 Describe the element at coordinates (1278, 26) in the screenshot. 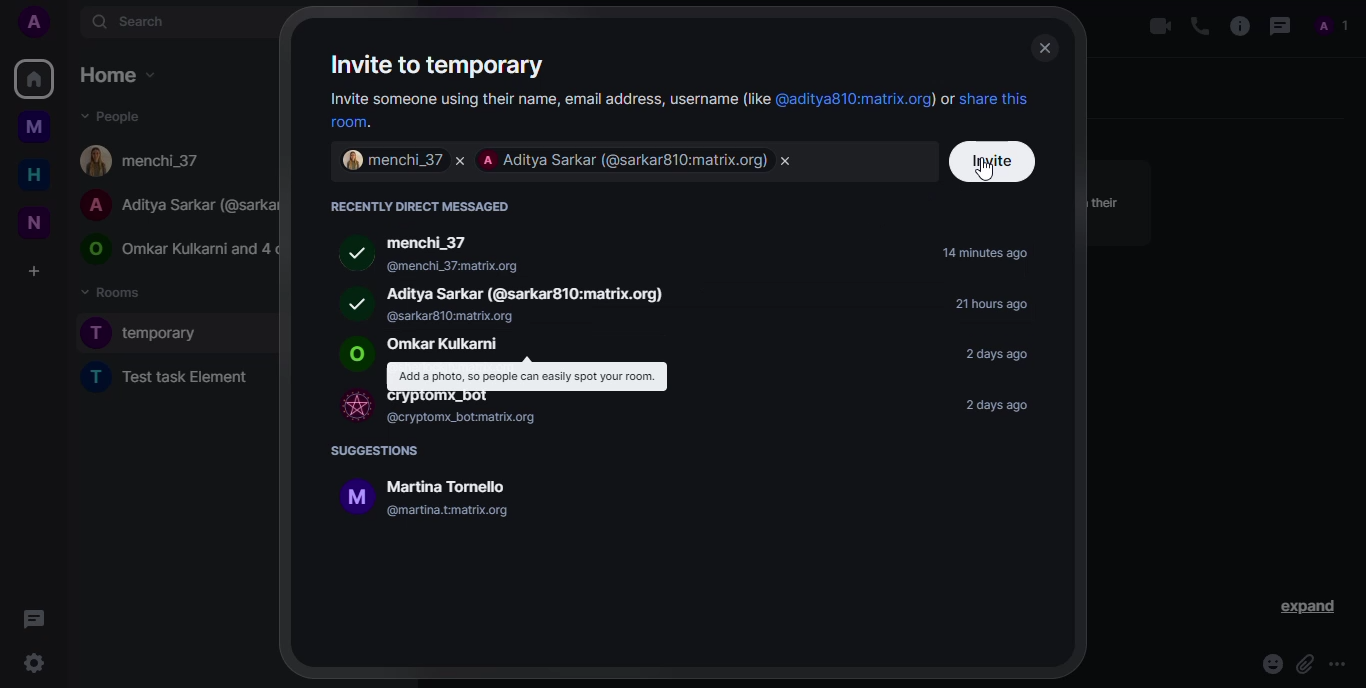

I see `threads` at that location.